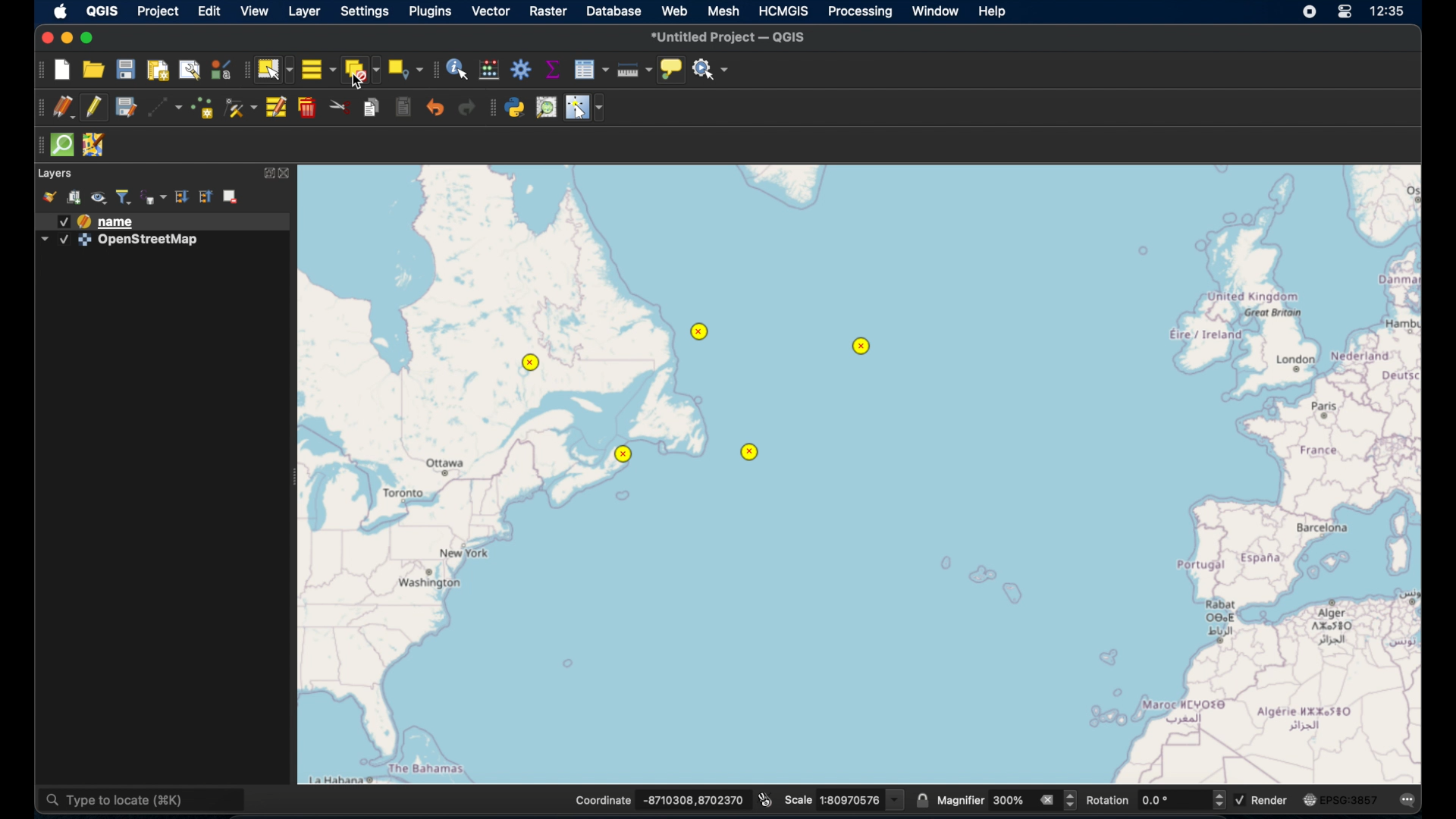 Image resolution: width=1456 pixels, height=819 pixels. Describe the element at coordinates (205, 197) in the screenshot. I see `expand all` at that location.